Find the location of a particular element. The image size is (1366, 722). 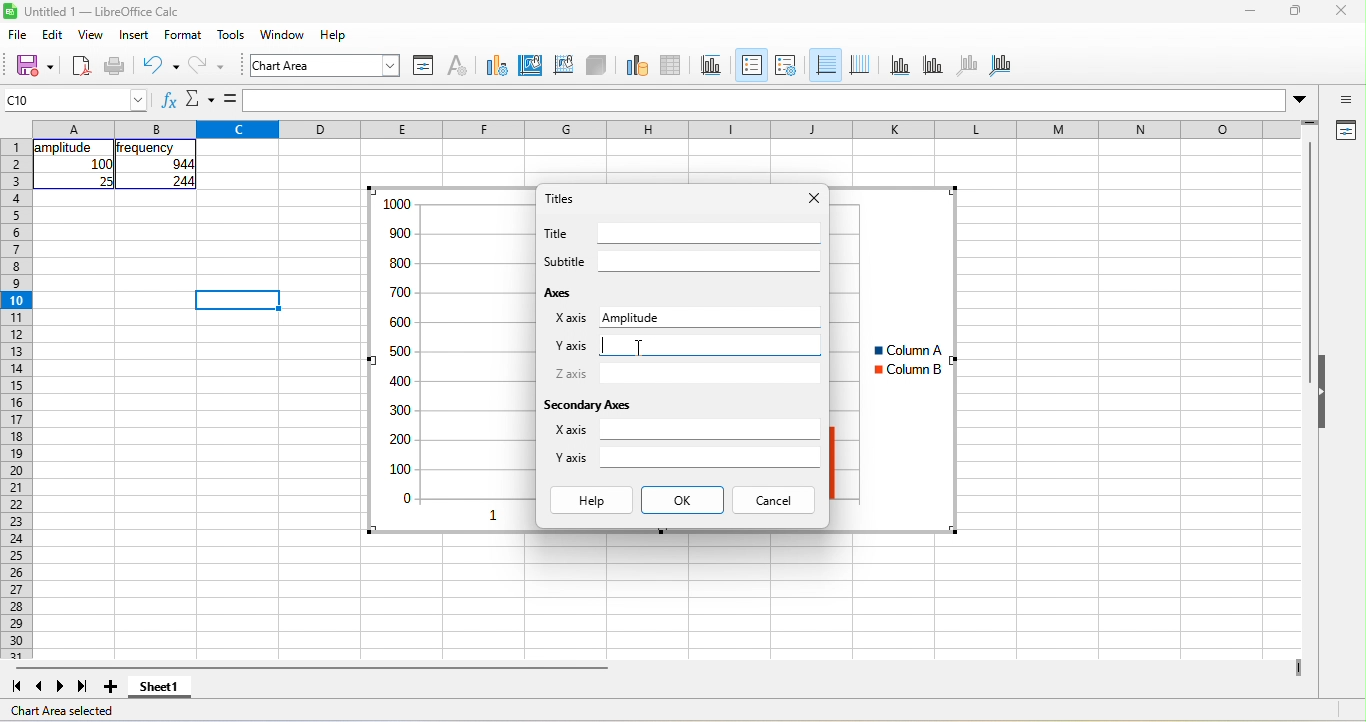

vertical grids is located at coordinates (860, 66).